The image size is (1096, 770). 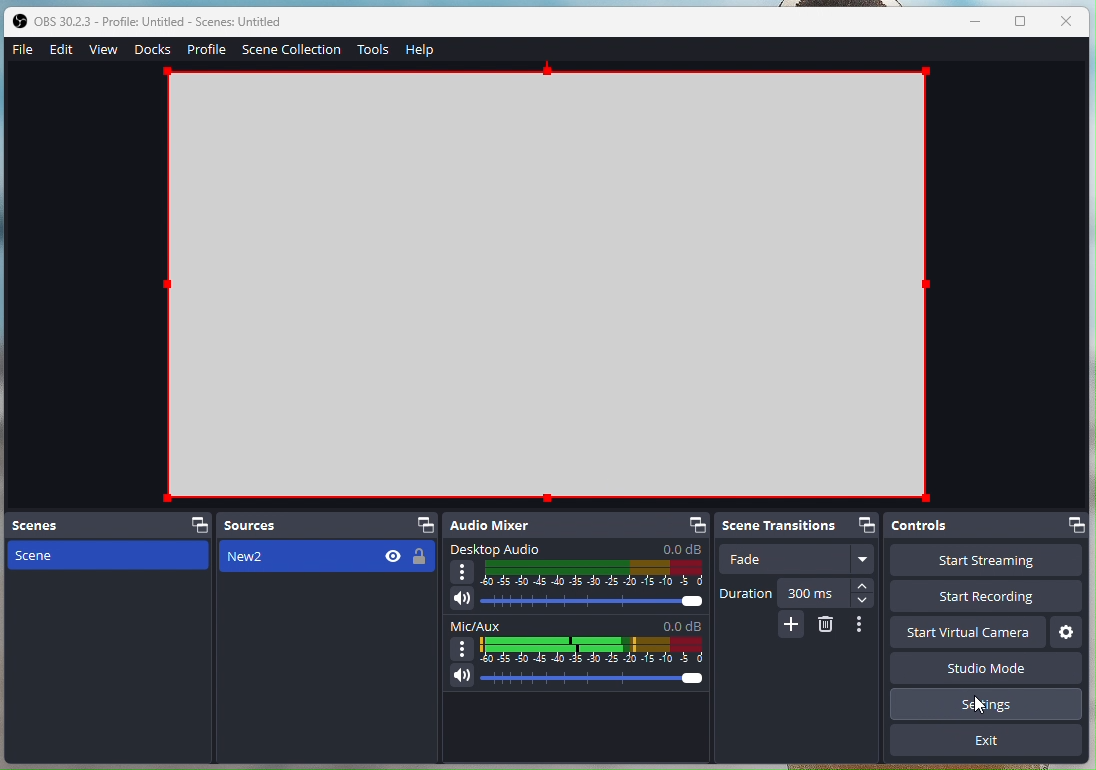 I want to click on Audio level slider, so click(x=594, y=602).